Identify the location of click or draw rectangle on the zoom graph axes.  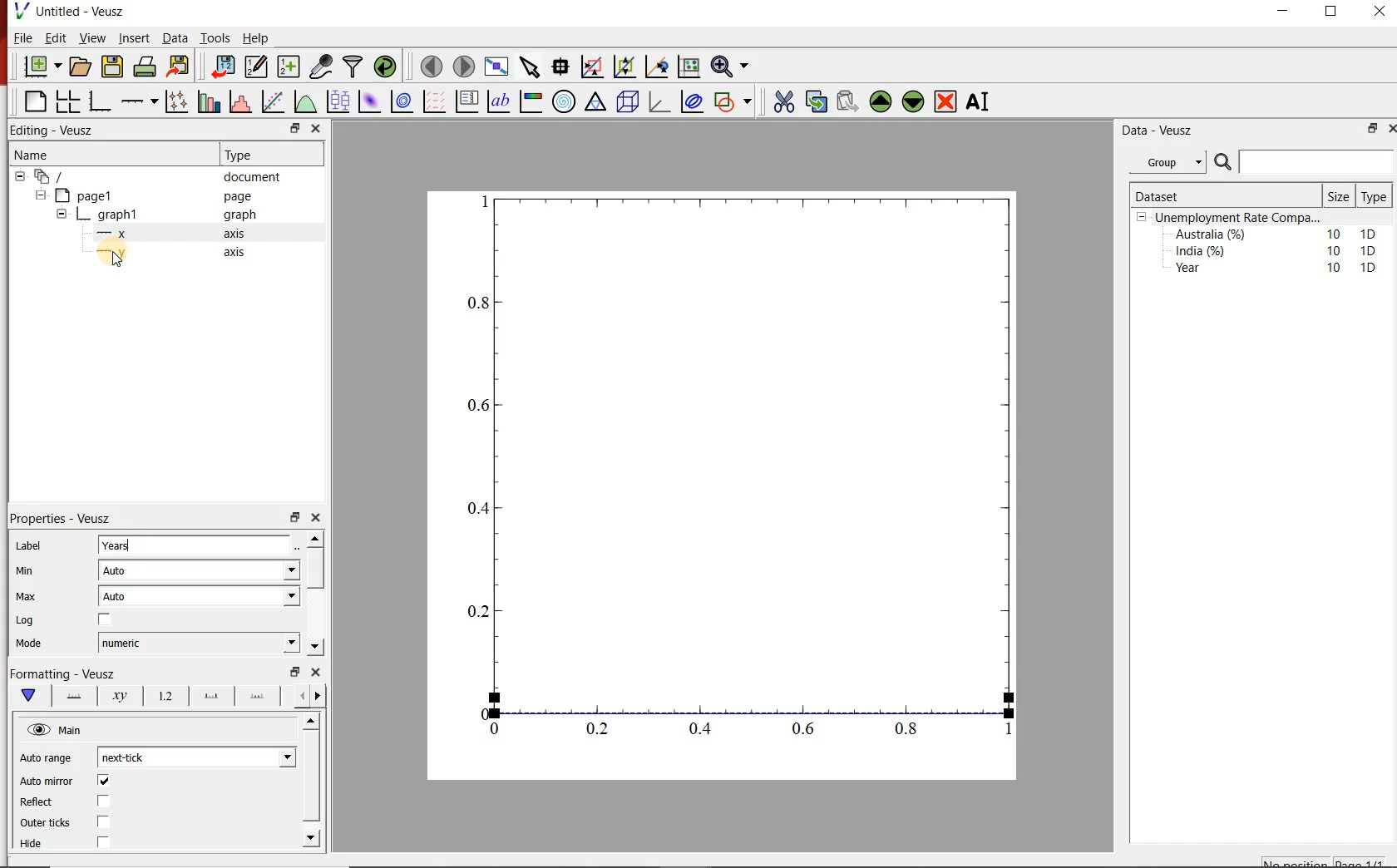
(593, 67).